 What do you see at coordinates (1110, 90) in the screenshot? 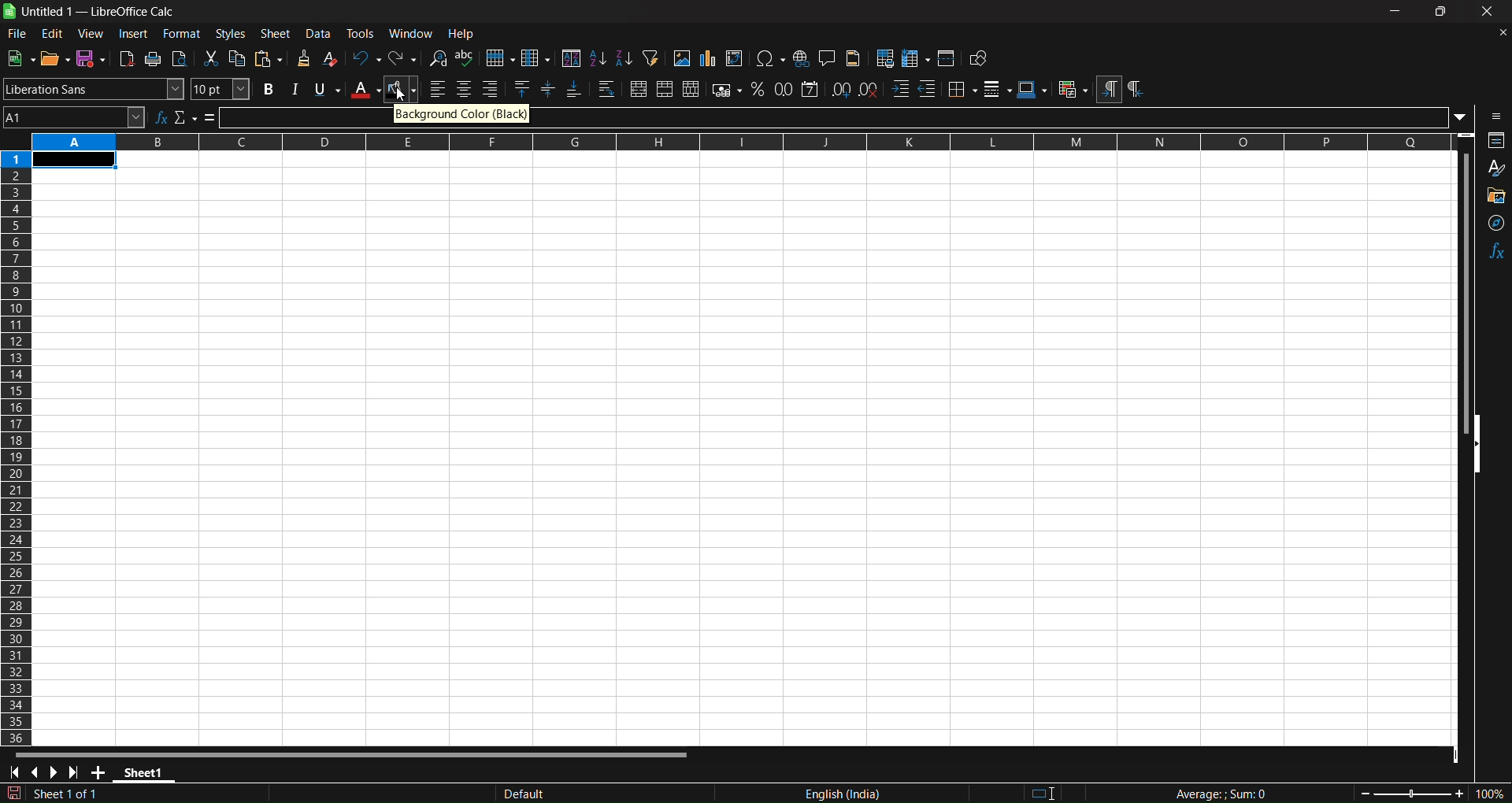
I see `left to right` at bounding box center [1110, 90].